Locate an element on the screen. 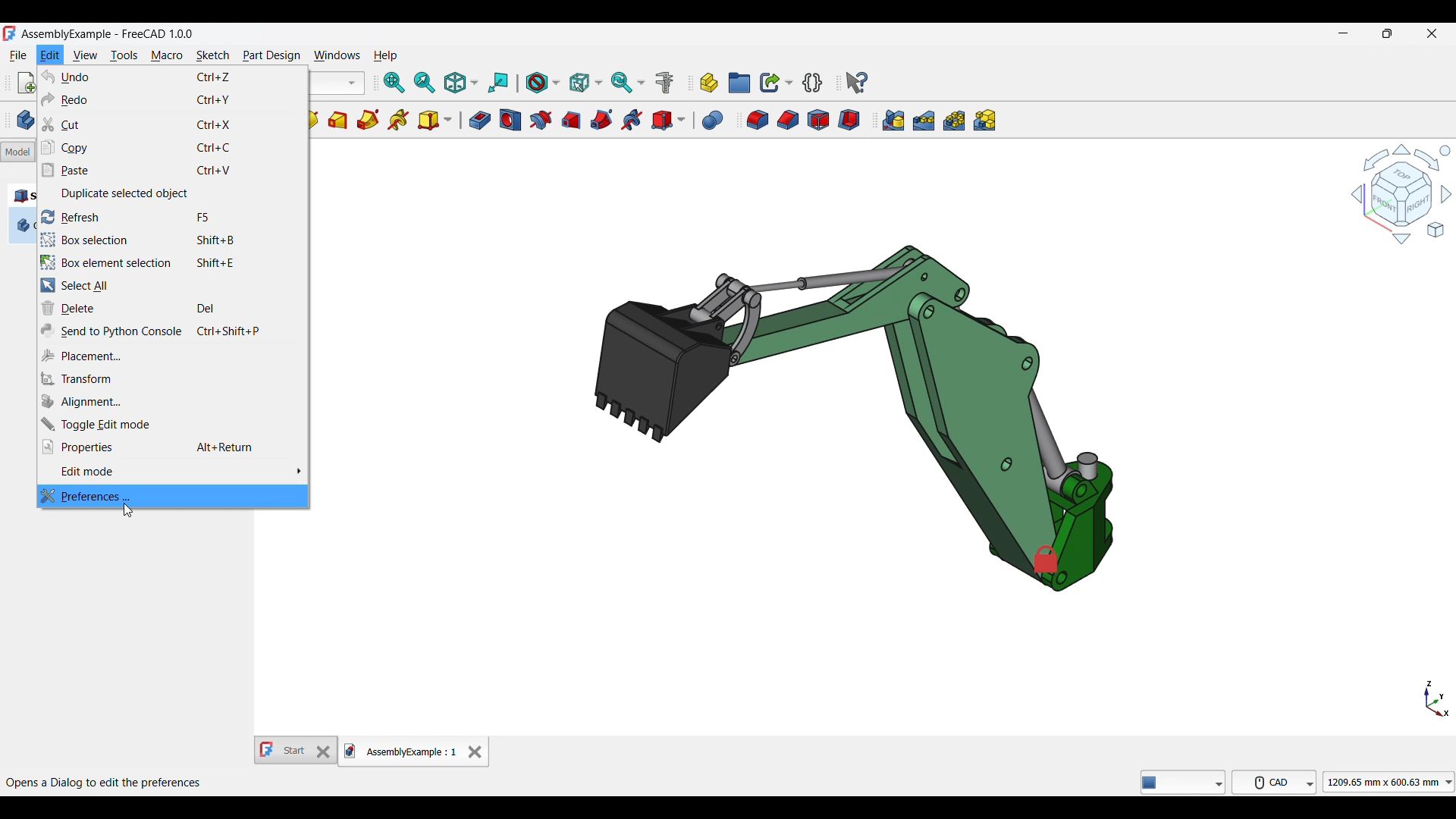  Help menu is located at coordinates (385, 56).